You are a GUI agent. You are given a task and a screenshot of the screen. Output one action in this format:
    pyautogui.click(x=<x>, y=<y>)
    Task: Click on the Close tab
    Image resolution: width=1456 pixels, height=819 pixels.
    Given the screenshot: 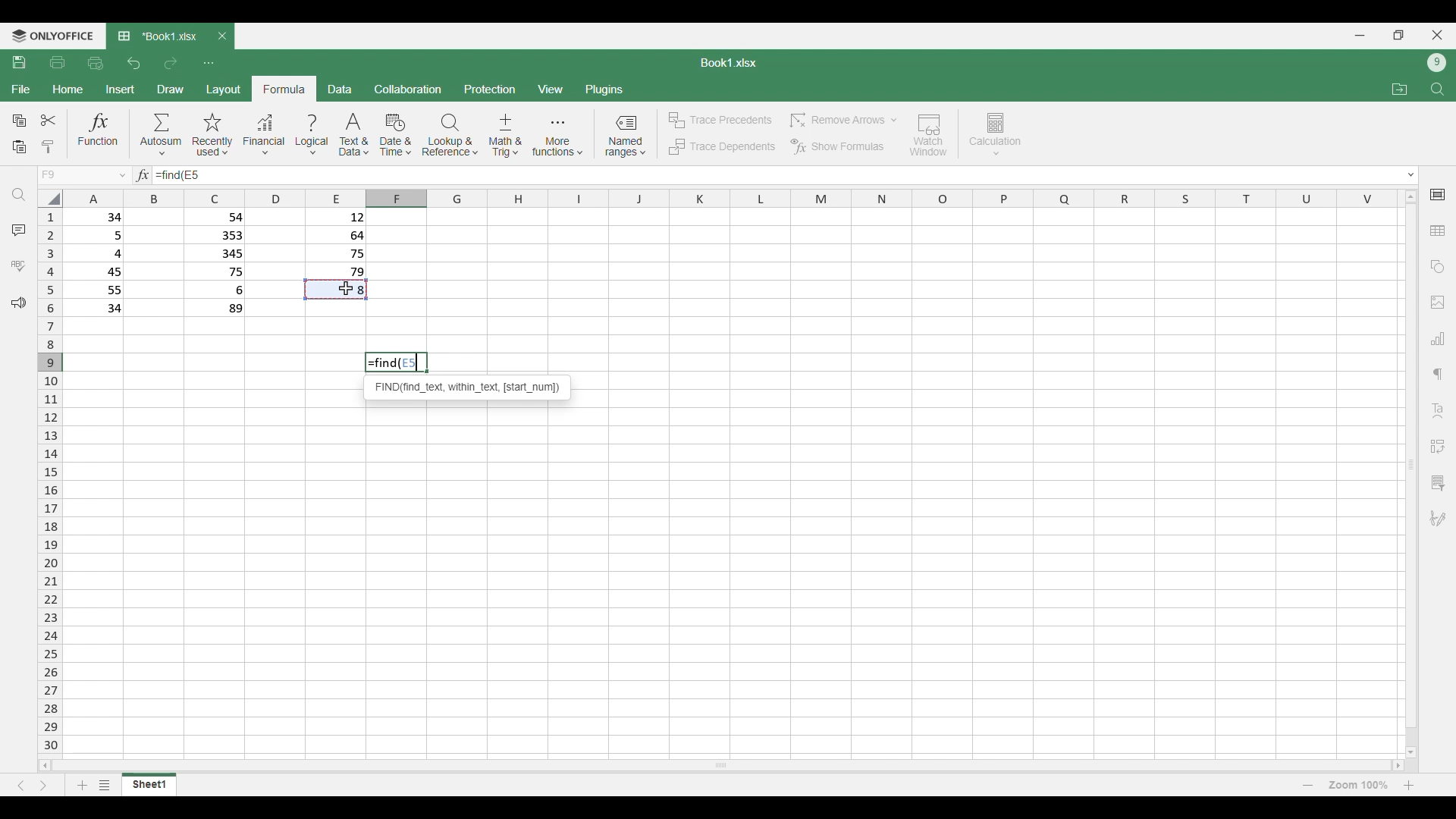 What is the action you would take?
    pyautogui.click(x=223, y=36)
    